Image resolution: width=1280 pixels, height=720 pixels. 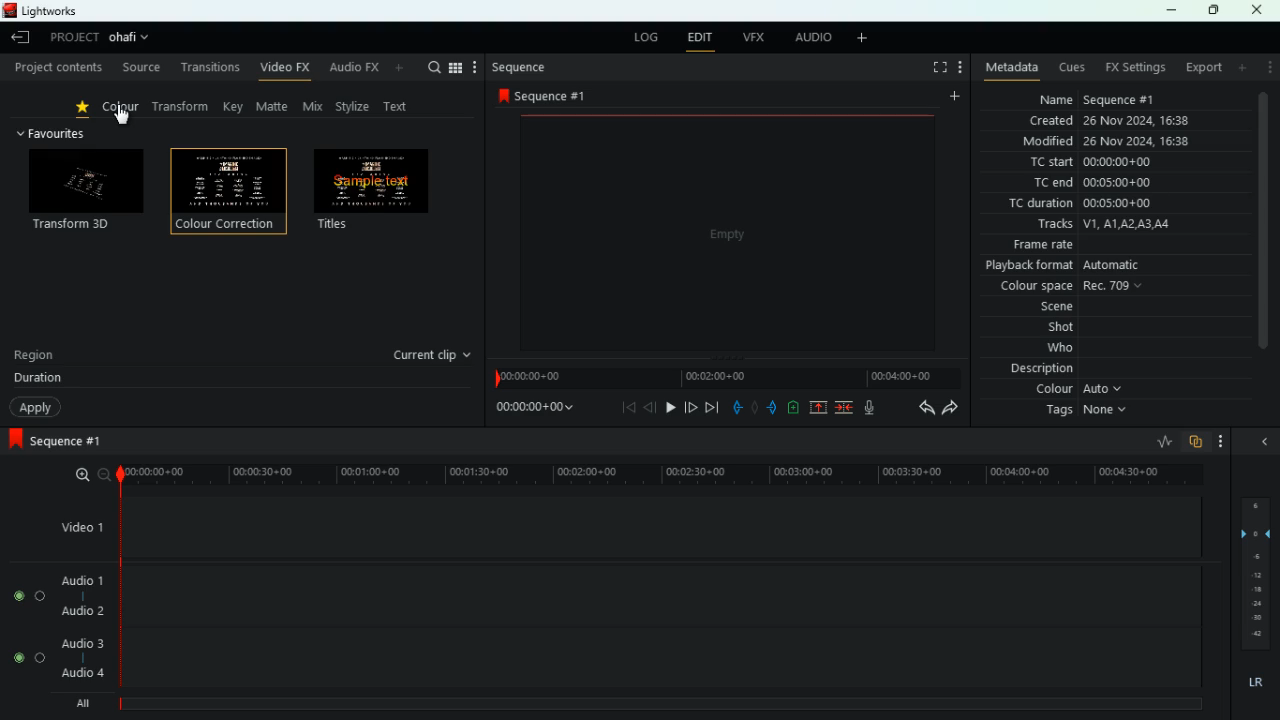 What do you see at coordinates (132, 37) in the screenshot?
I see `project name` at bounding box center [132, 37].